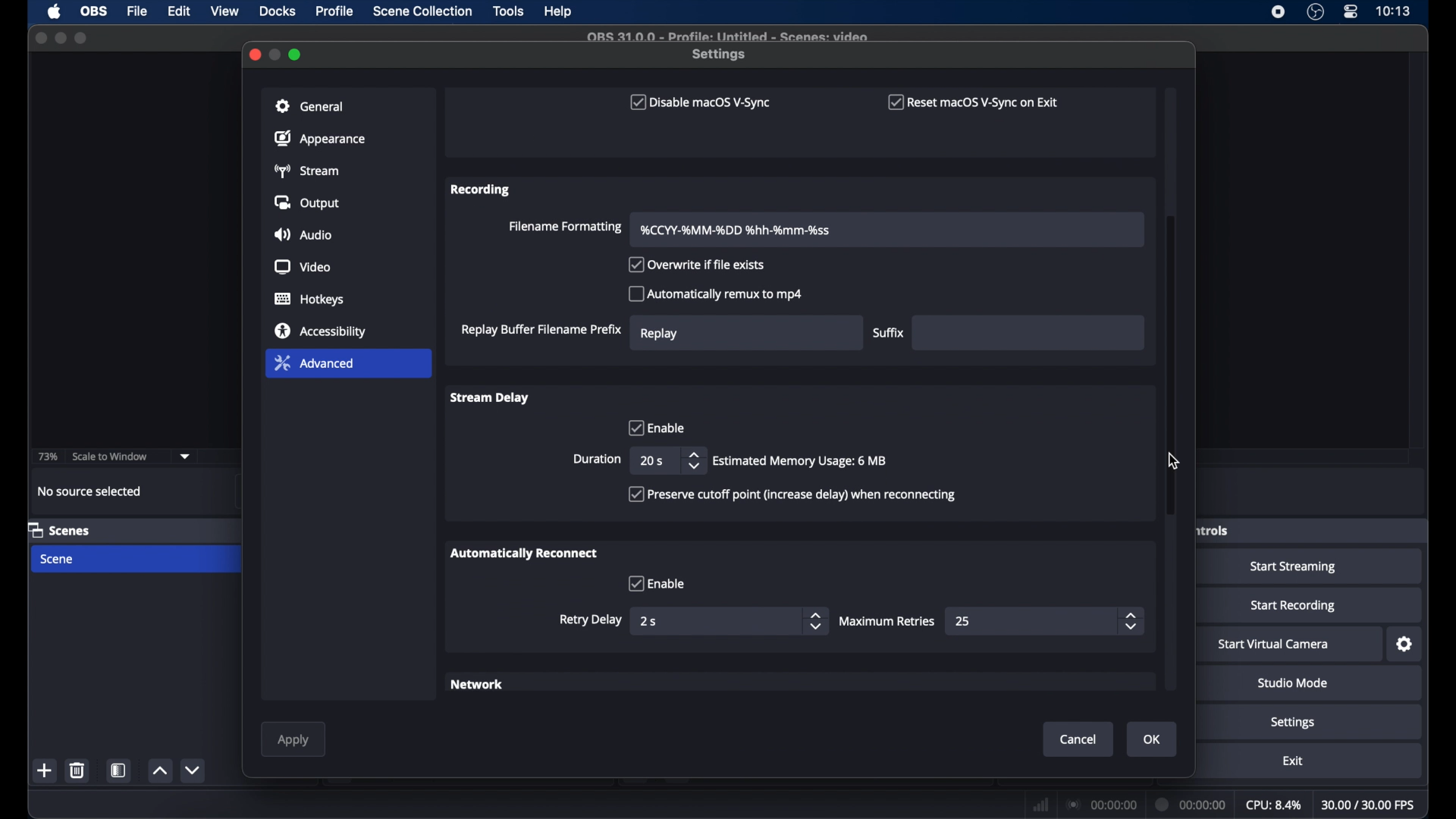  What do you see at coordinates (488, 397) in the screenshot?
I see `stream delay` at bounding box center [488, 397].